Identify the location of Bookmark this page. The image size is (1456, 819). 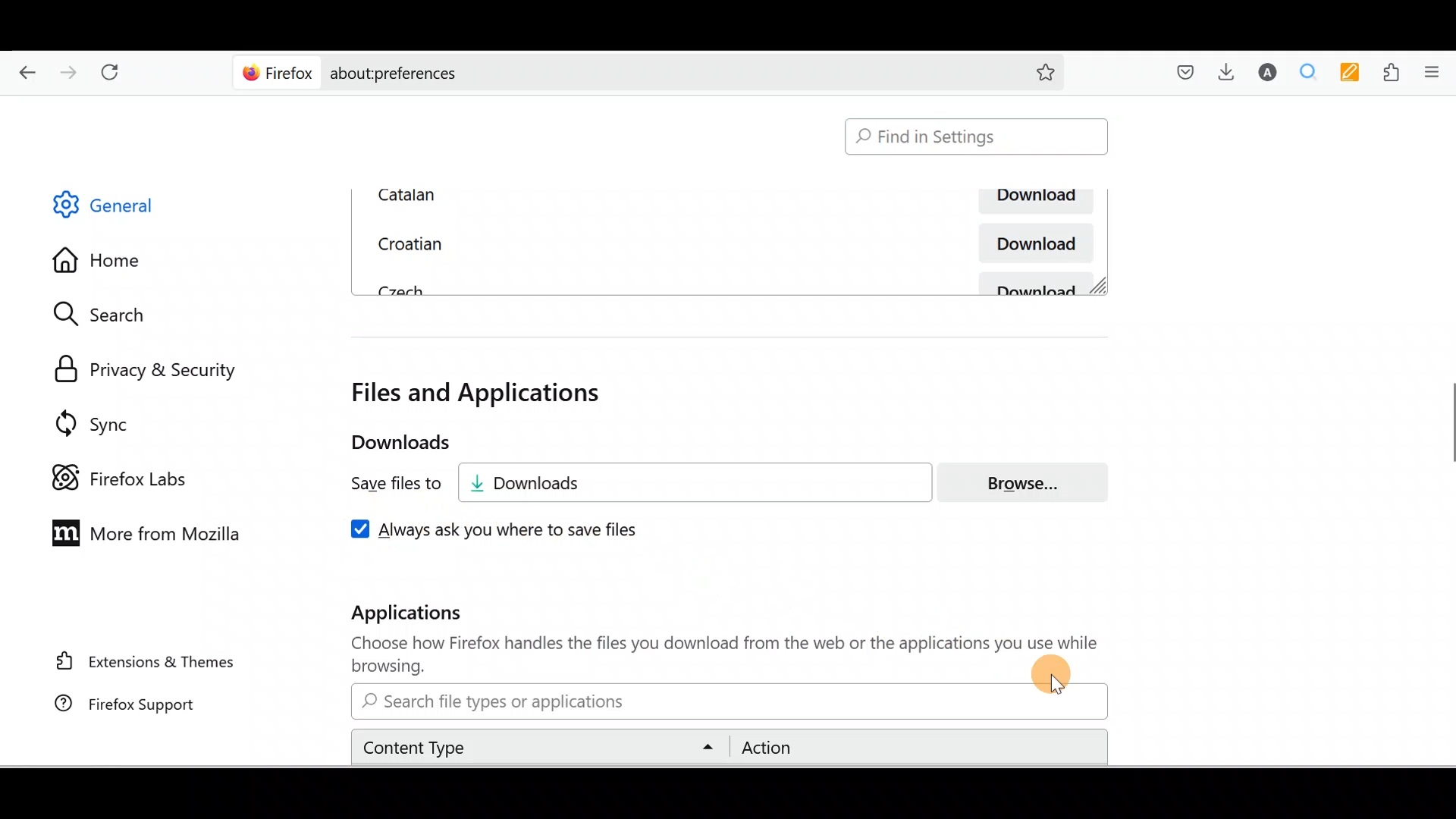
(1046, 71).